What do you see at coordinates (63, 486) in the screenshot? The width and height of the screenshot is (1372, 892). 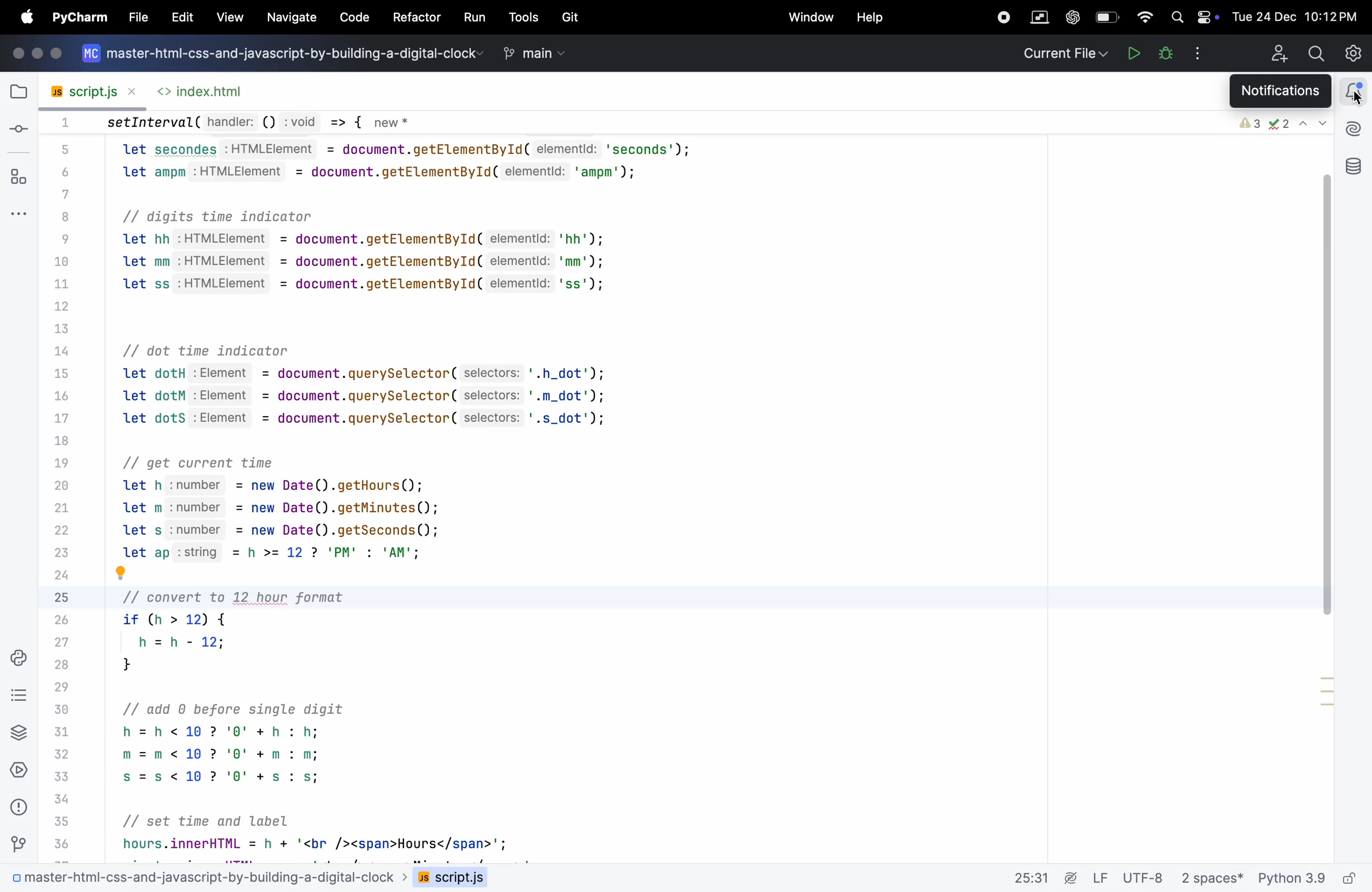 I see `Code line` at bounding box center [63, 486].